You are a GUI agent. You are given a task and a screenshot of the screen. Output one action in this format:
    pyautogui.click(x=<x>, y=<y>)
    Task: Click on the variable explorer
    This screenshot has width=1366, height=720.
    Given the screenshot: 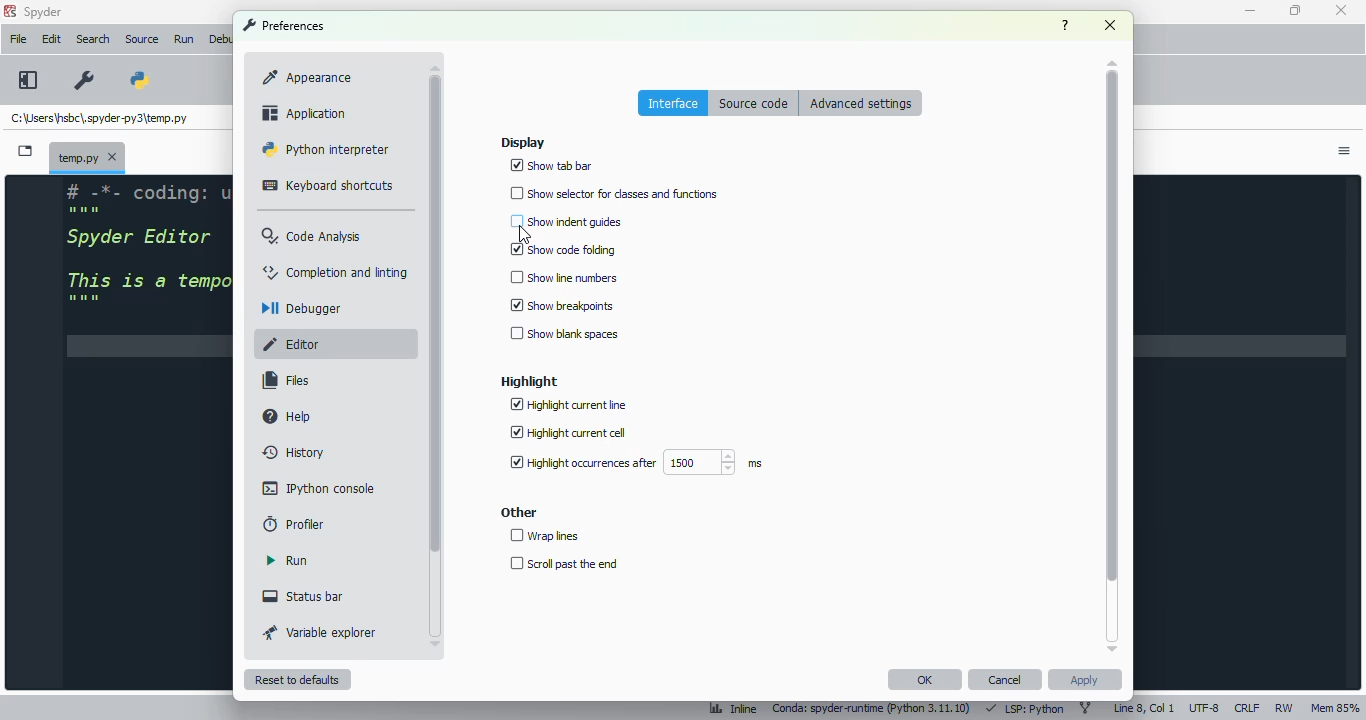 What is the action you would take?
    pyautogui.click(x=321, y=632)
    